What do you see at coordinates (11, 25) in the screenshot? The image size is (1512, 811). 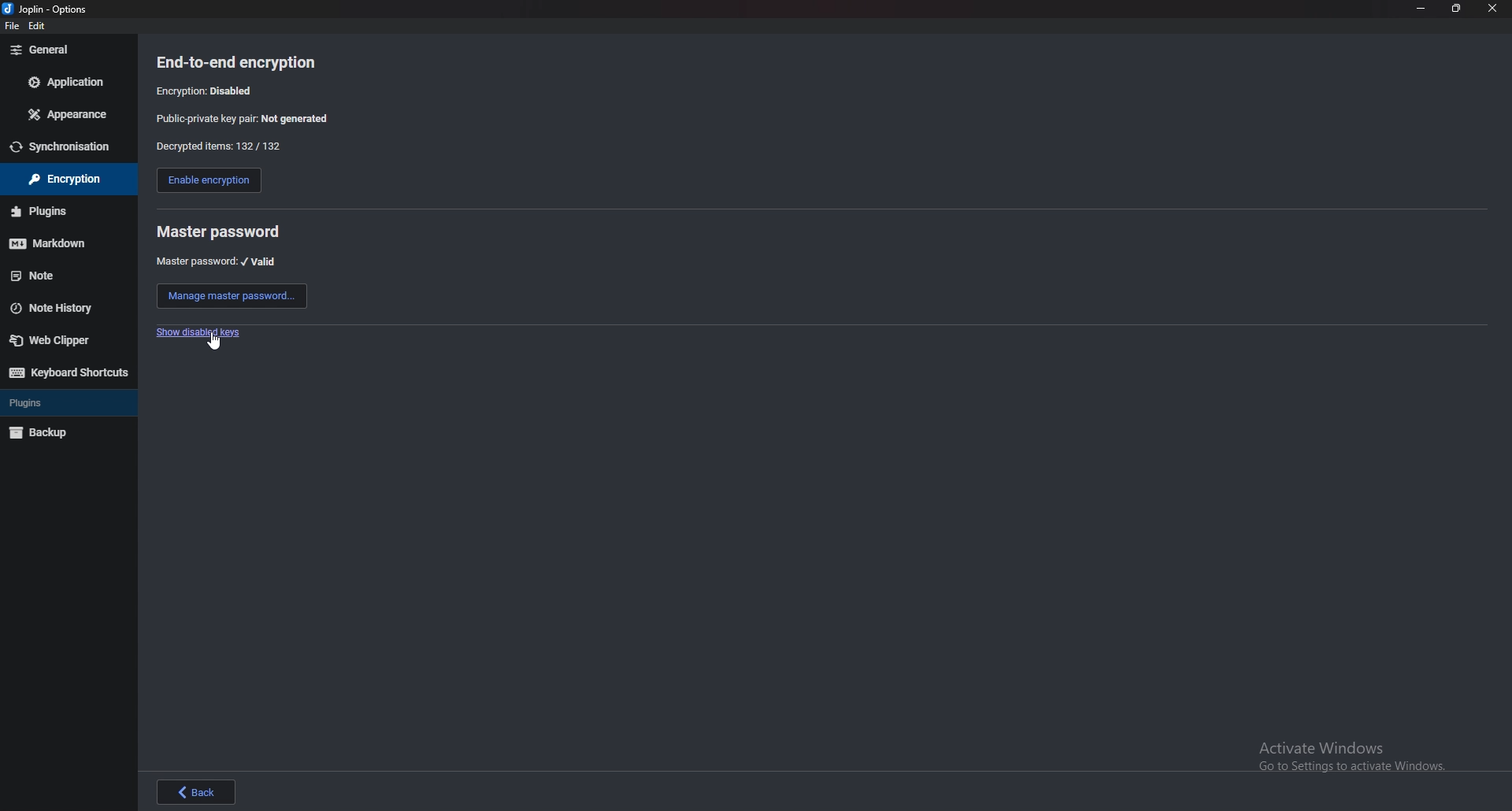 I see `file` at bounding box center [11, 25].